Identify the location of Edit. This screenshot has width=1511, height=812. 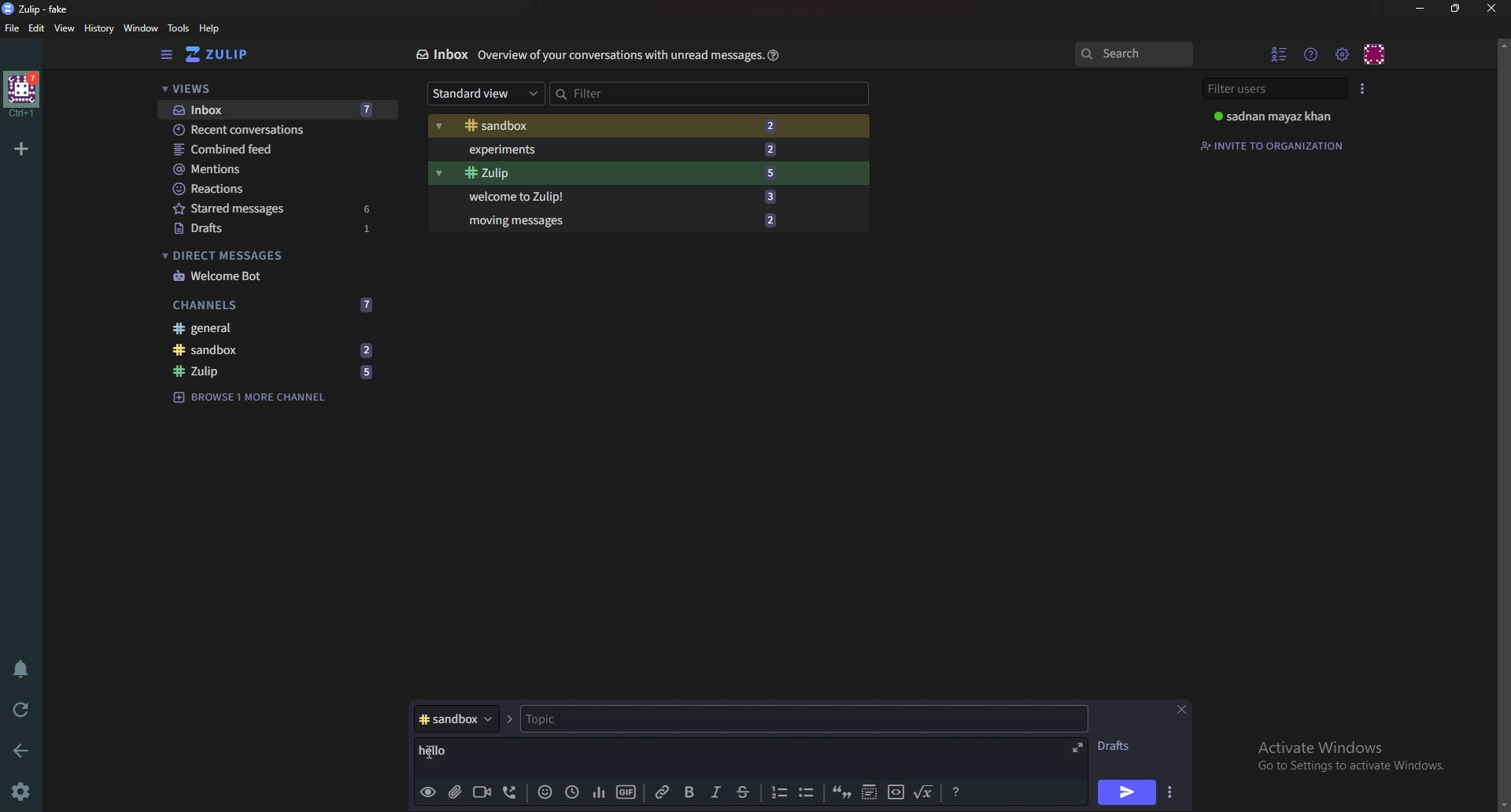
(39, 28).